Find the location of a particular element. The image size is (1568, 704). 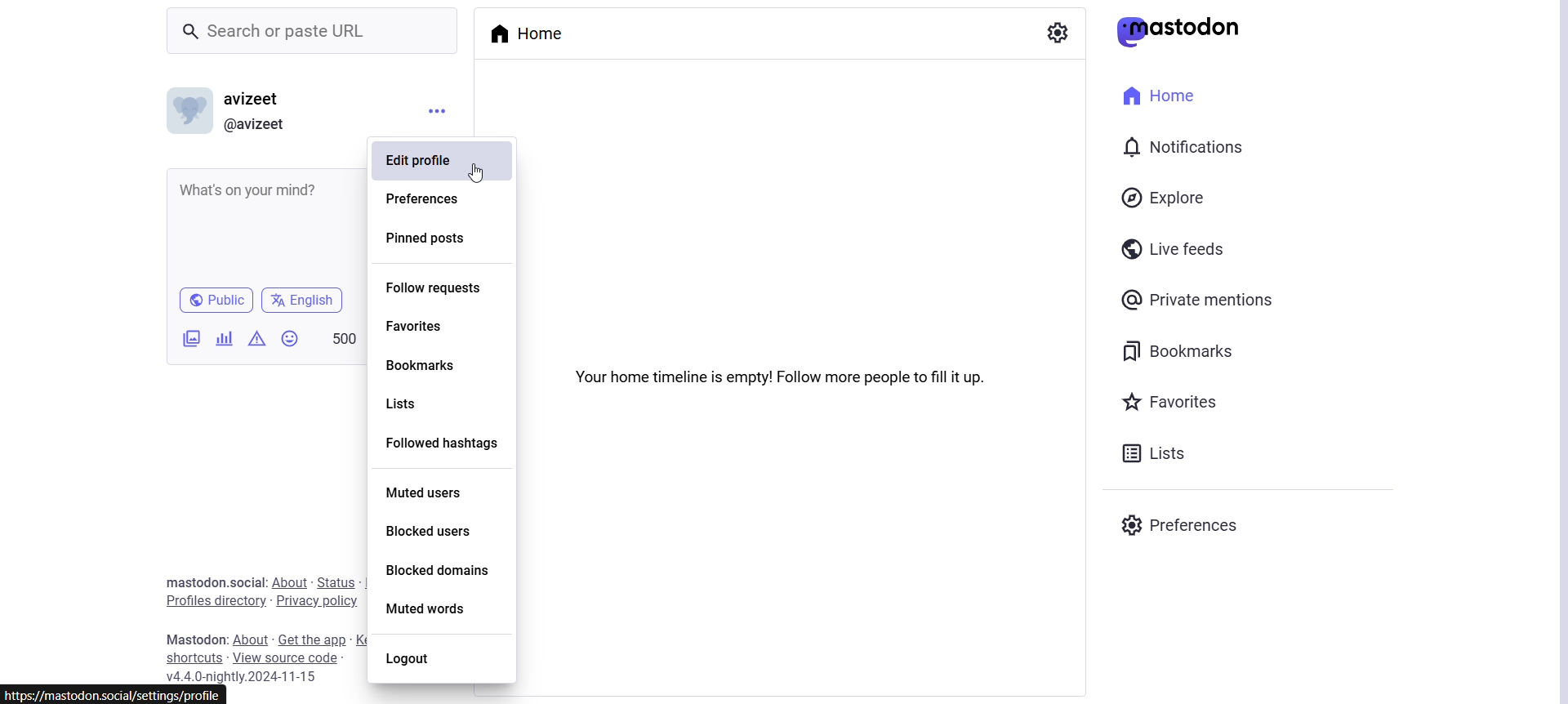

Bookmarks is located at coordinates (1187, 350).